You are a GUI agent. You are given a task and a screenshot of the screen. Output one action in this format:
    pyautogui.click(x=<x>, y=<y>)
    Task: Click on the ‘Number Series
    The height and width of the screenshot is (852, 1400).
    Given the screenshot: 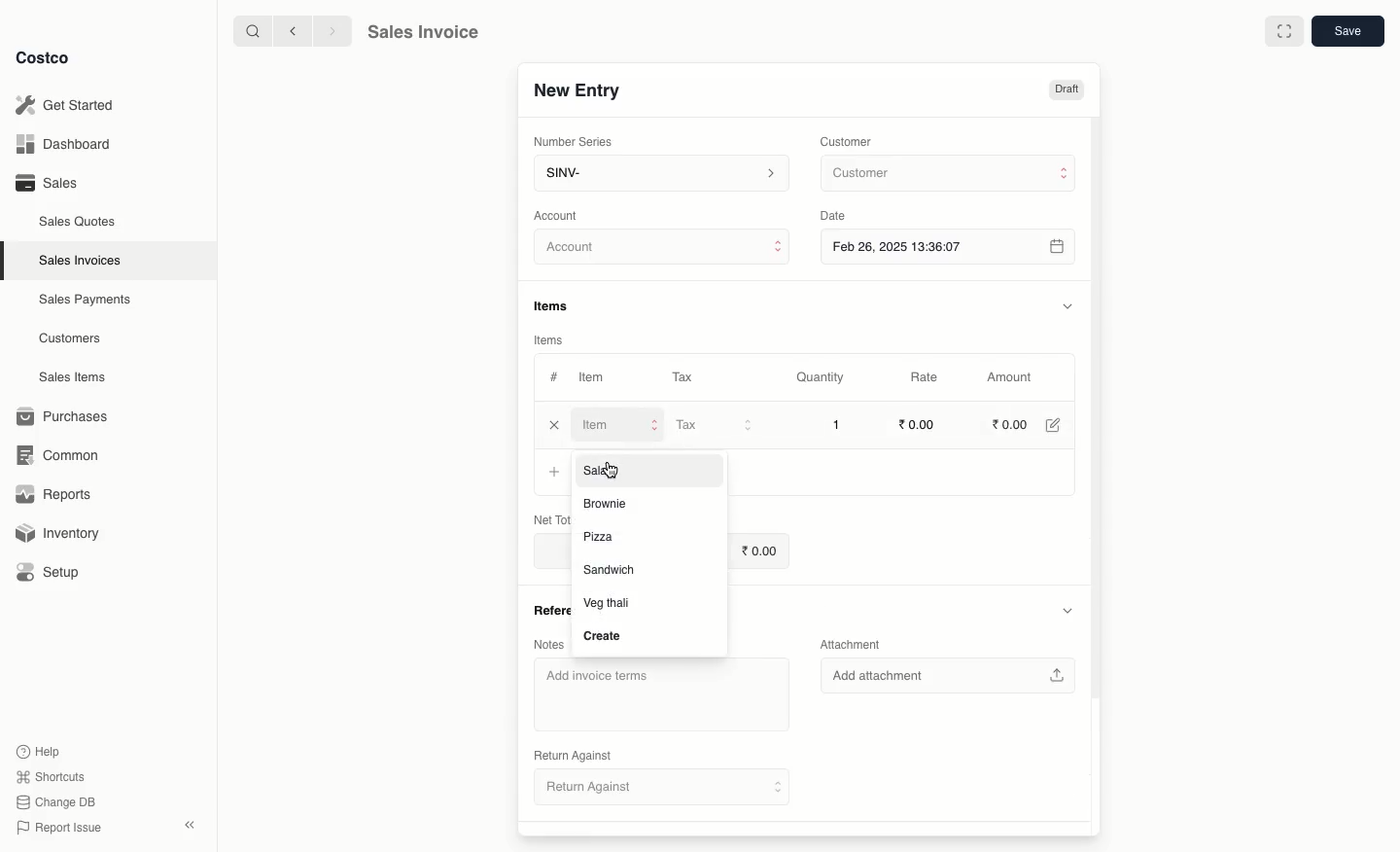 What is the action you would take?
    pyautogui.click(x=570, y=142)
    